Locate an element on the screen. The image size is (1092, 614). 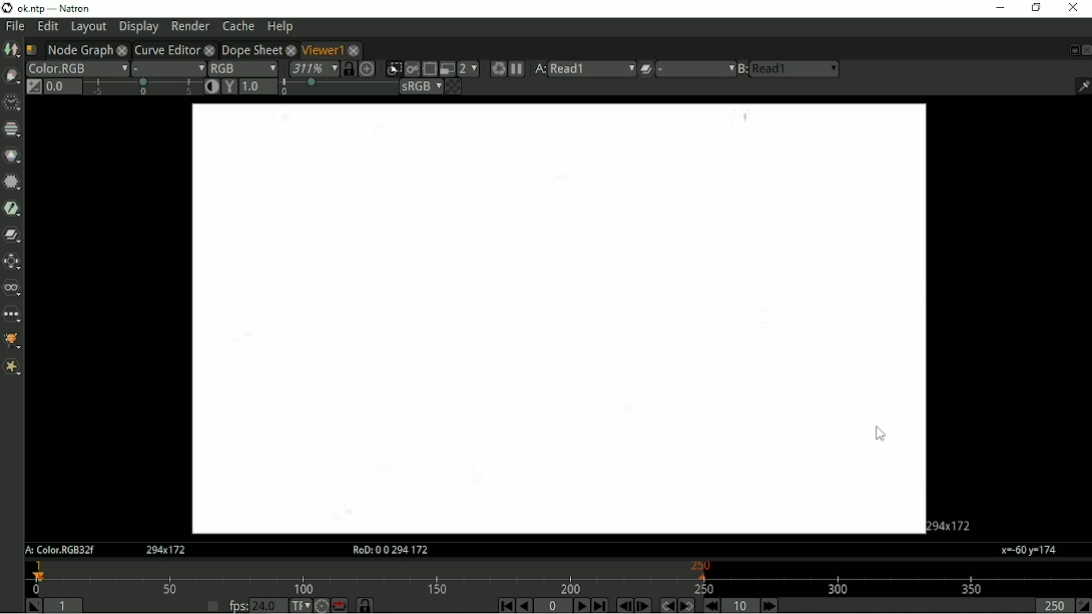
Close is located at coordinates (1073, 8).